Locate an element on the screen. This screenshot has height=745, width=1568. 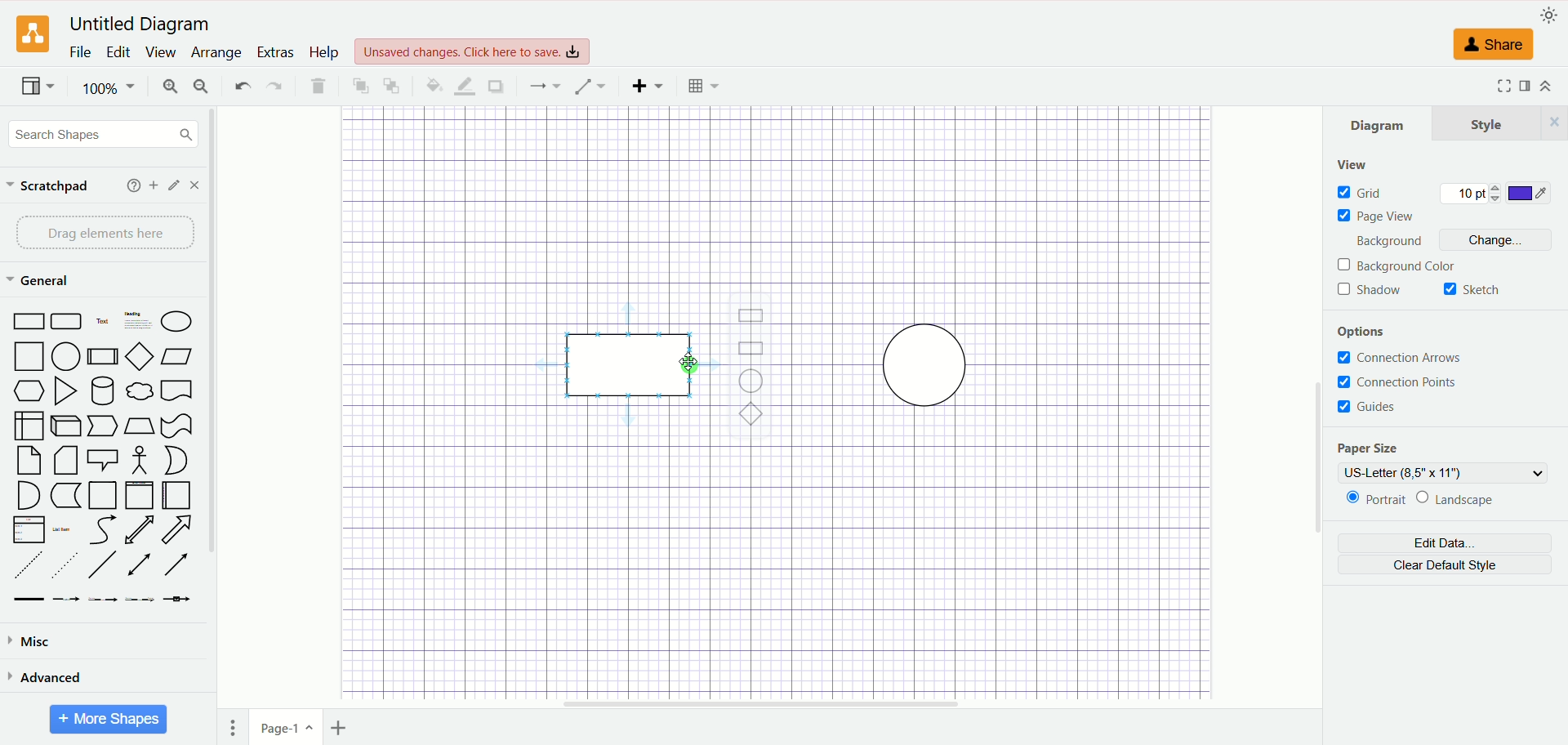
format is located at coordinates (1527, 86).